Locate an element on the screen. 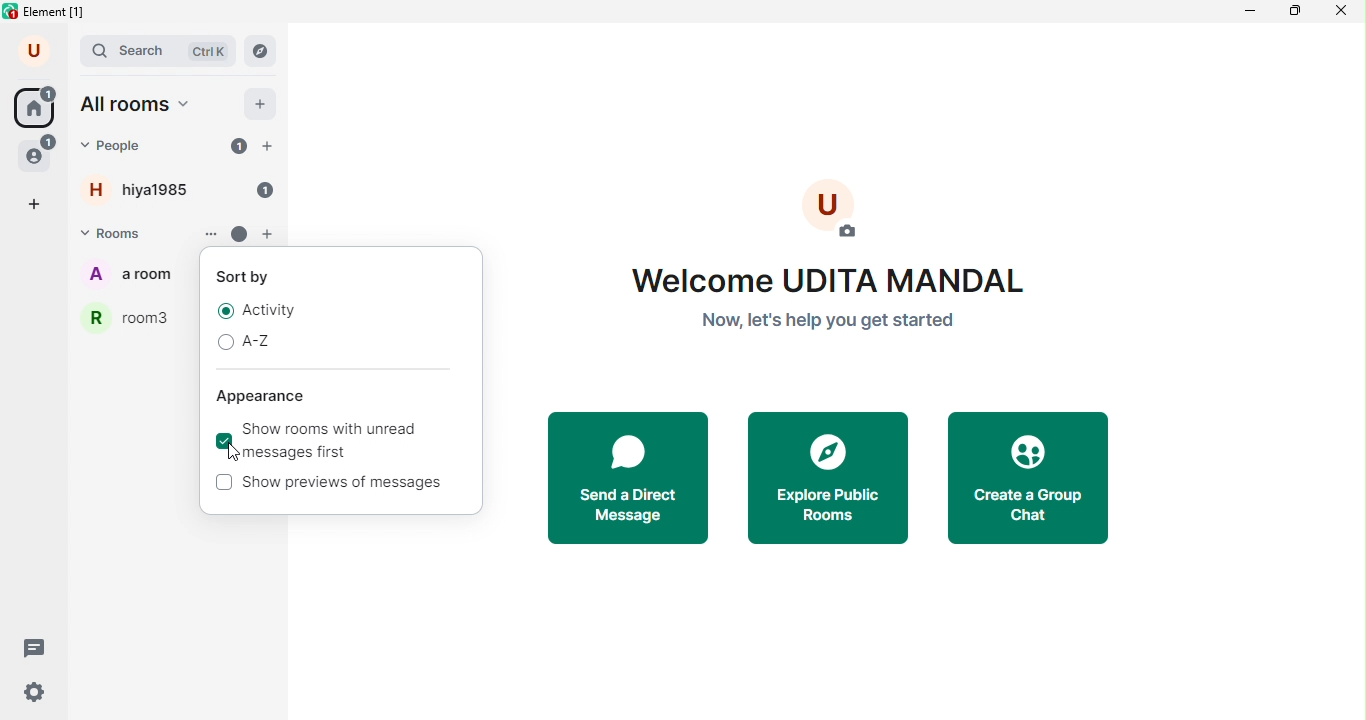 This screenshot has height=720, width=1366. room3 is located at coordinates (131, 317).